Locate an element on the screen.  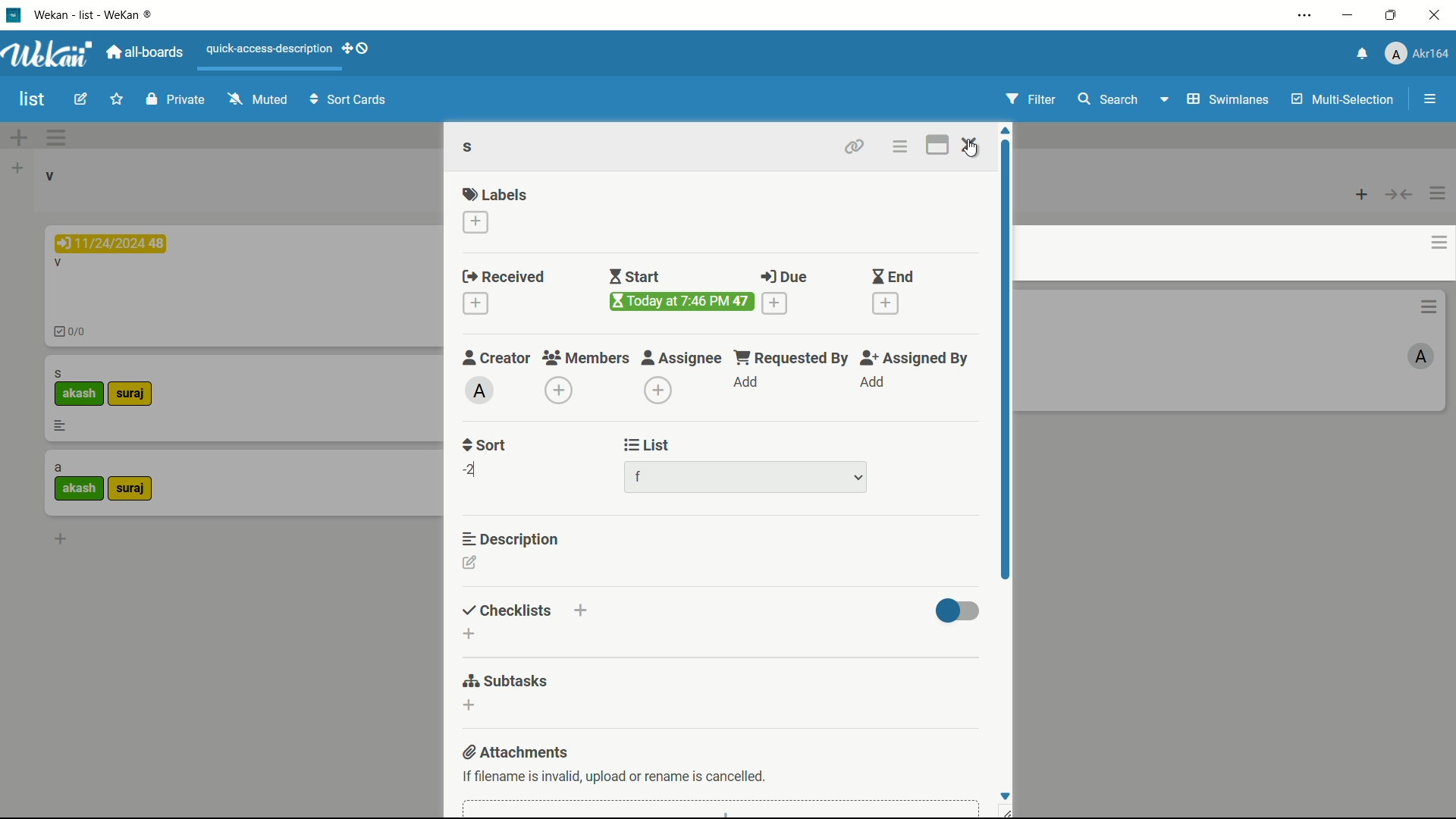
Scroll down is located at coordinates (1007, 794).